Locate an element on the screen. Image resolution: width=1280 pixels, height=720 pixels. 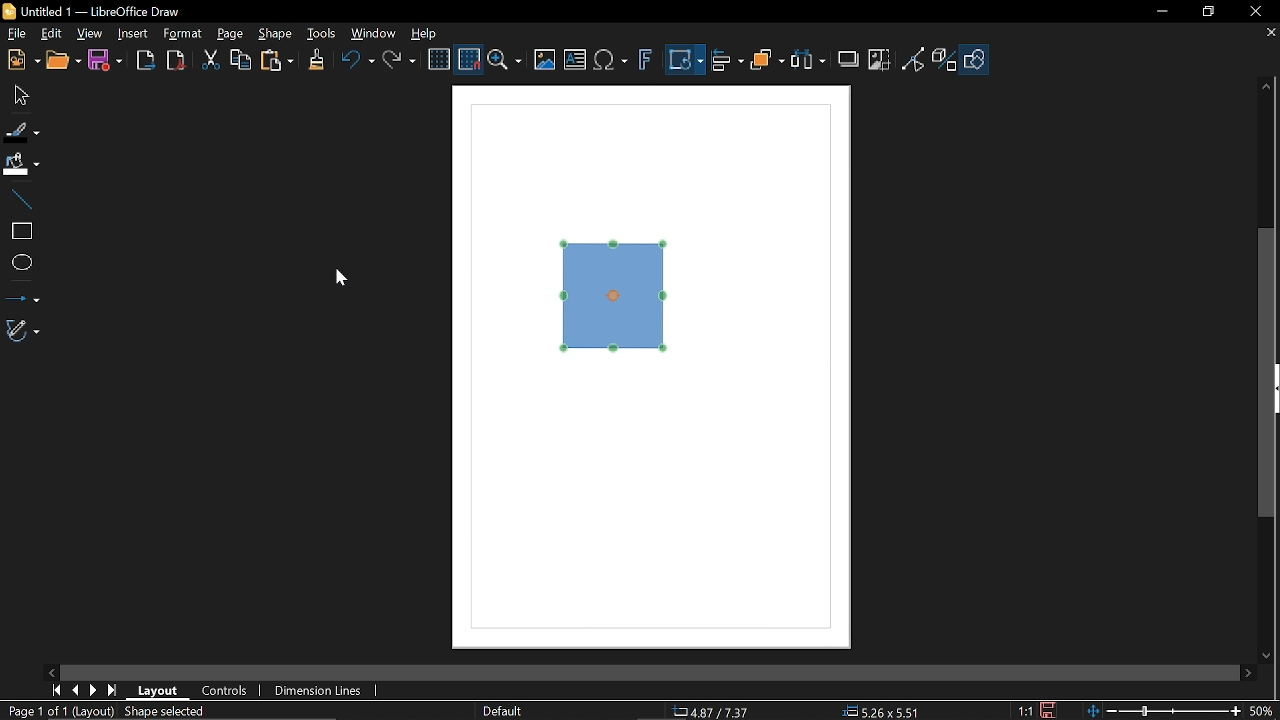
Format is located at coordinates (182, 34).